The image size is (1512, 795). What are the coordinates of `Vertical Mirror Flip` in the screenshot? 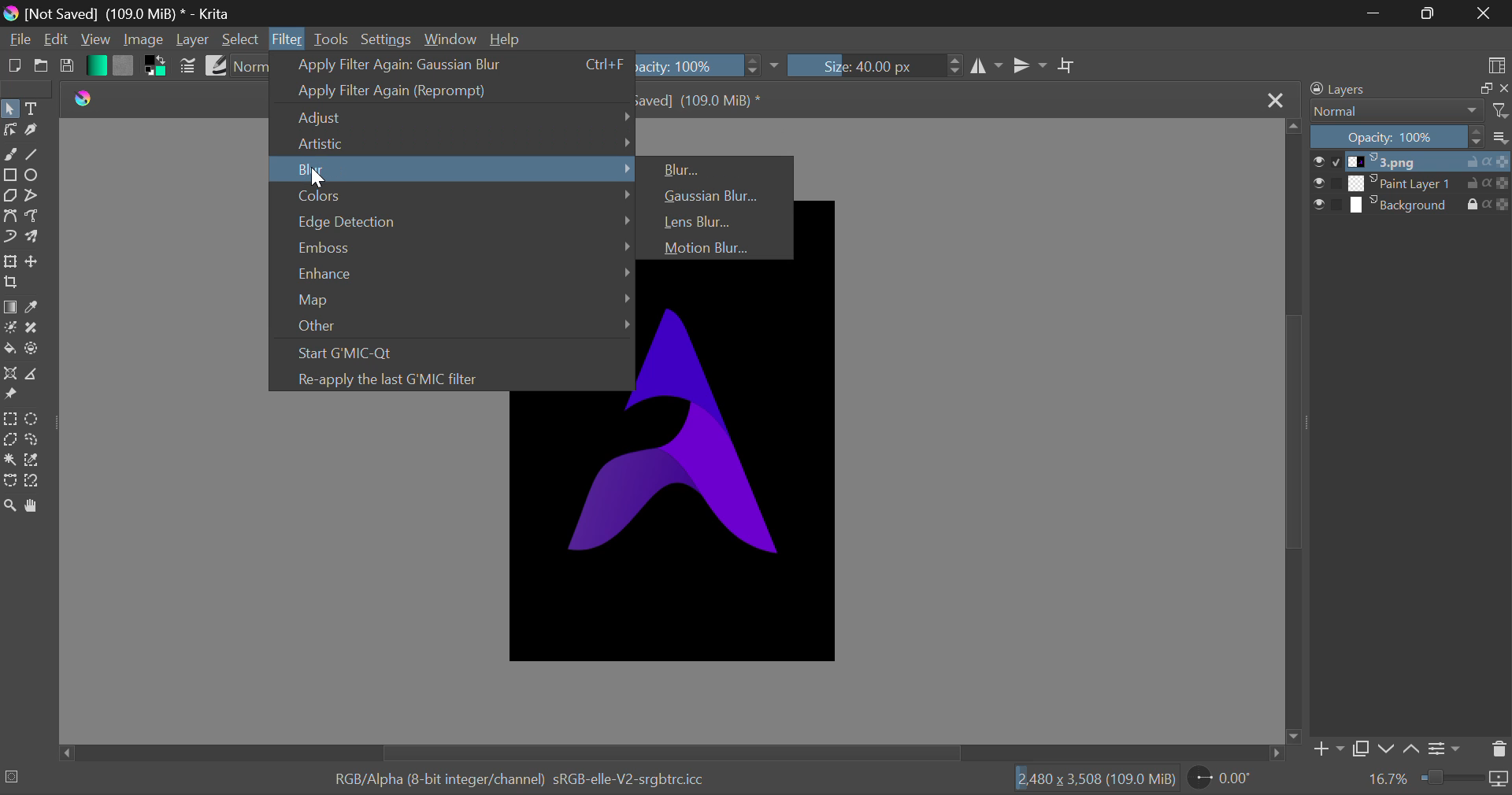 It's located at (988, 68).